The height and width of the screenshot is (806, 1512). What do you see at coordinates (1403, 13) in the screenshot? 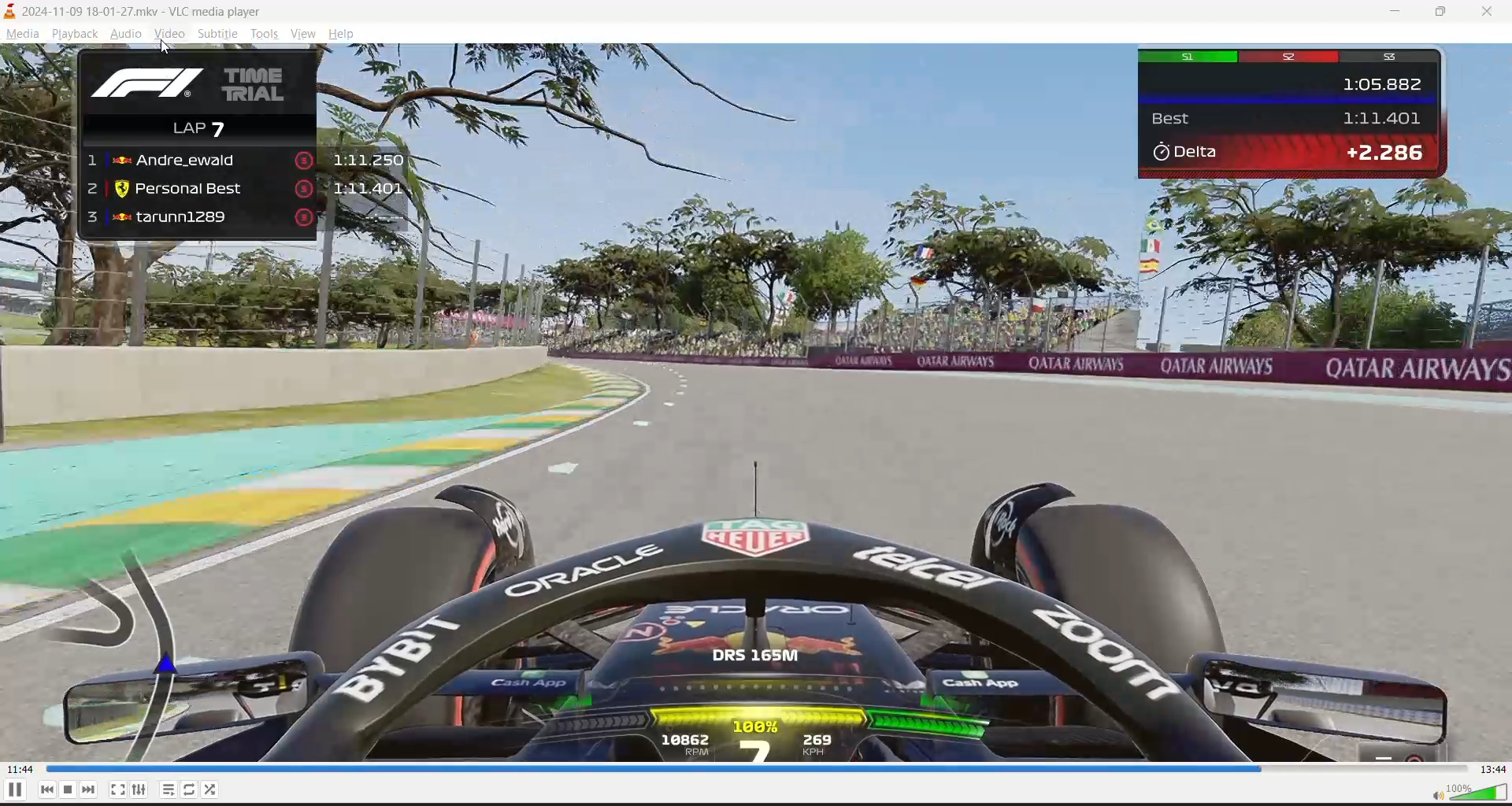
I see `minimize` at bounding box center [1403, 13].